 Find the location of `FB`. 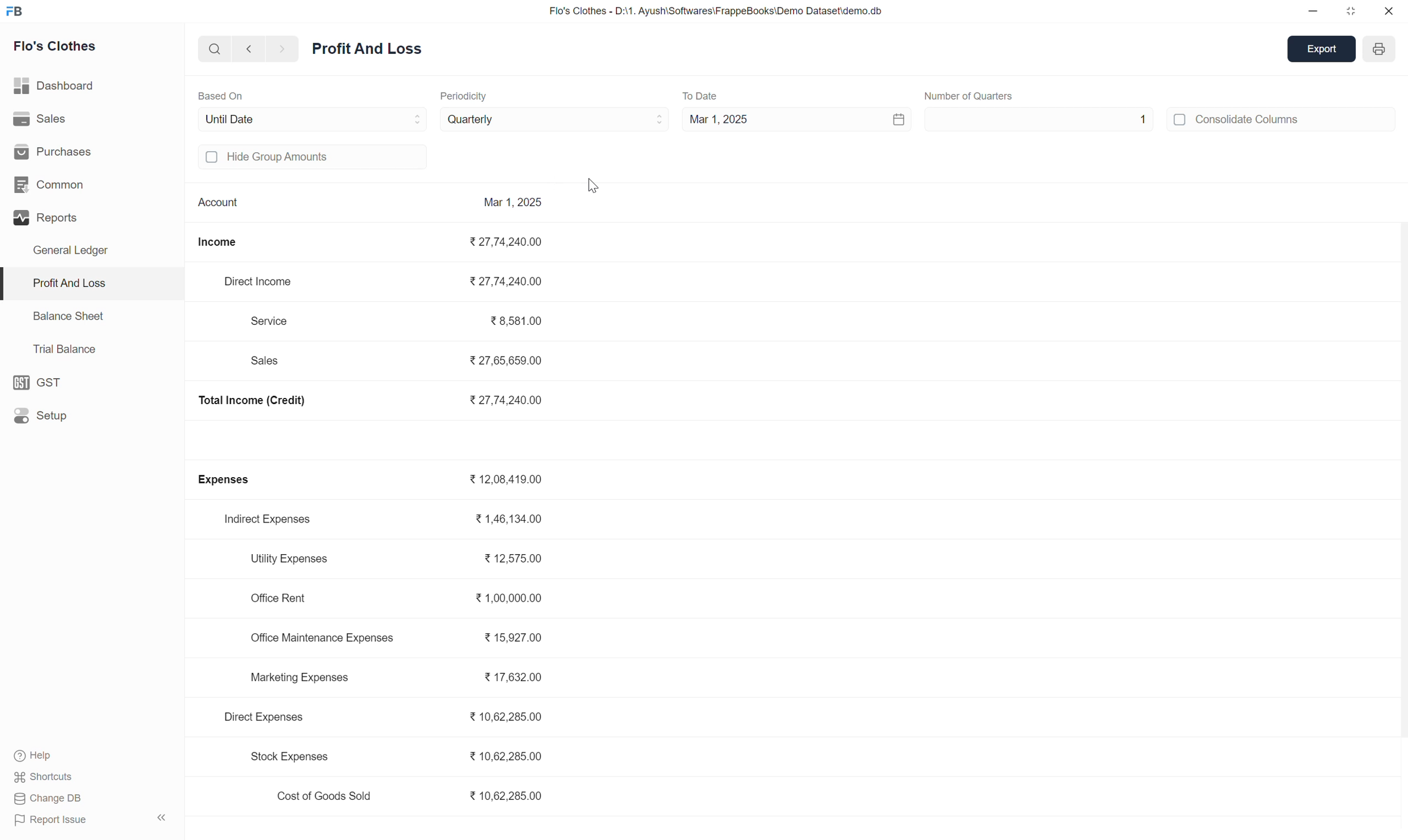

FB is located at coordinates (25, 12).